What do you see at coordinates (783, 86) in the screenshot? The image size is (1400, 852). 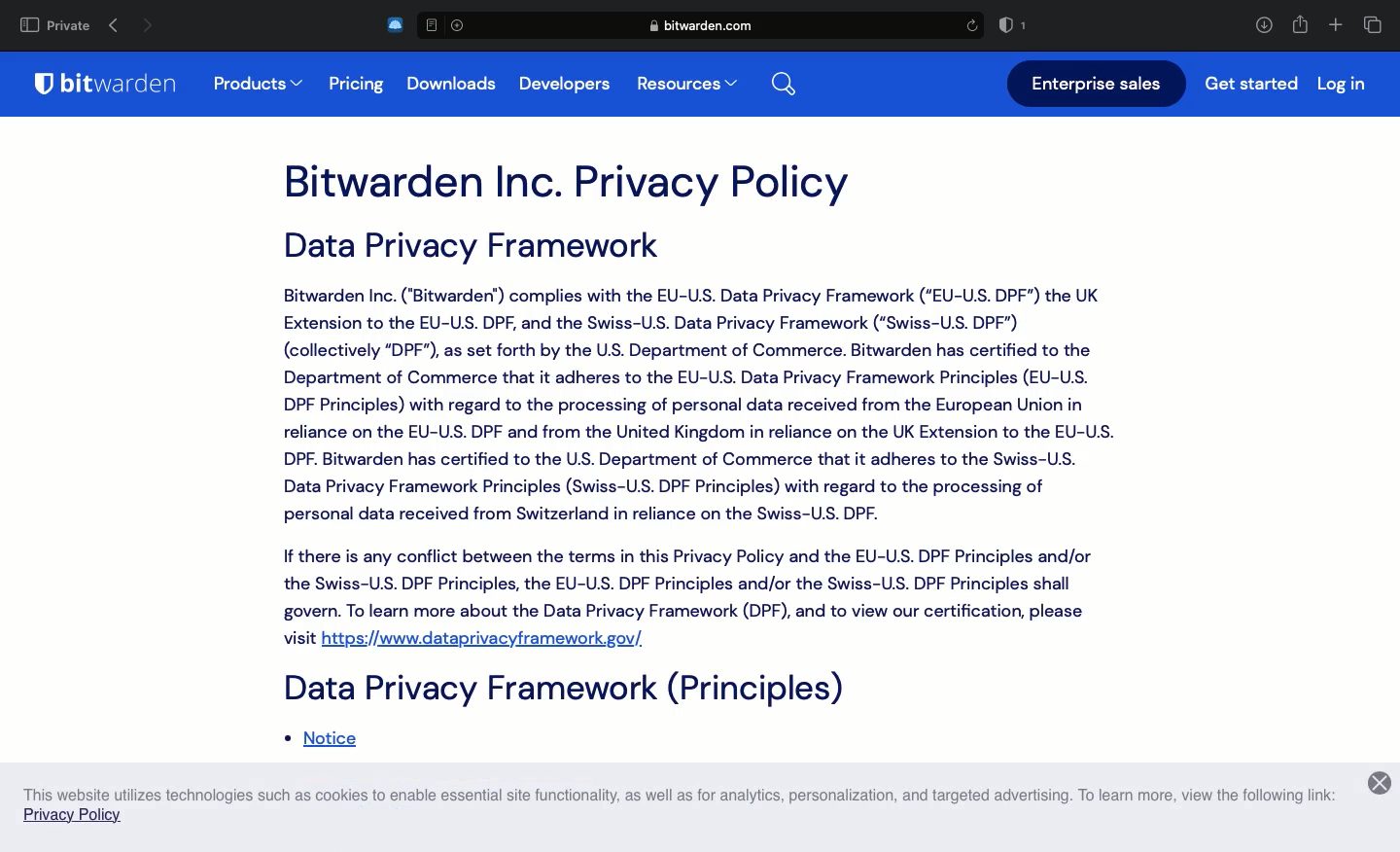 I see `search` at bounding box center [783, 86].